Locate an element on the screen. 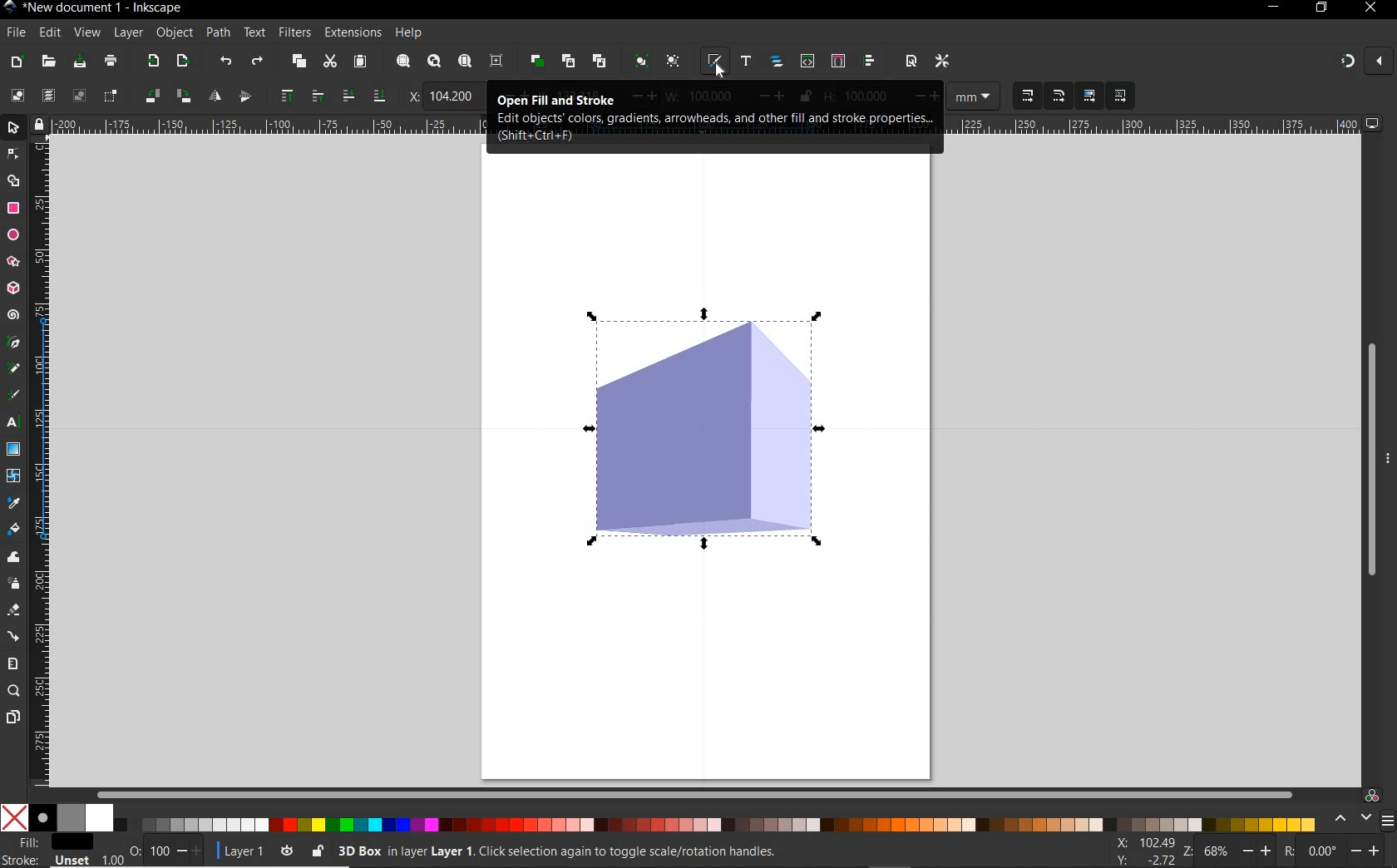 This screenshot has width=1397, height=868. HELP is located at coordinates (410, 31).